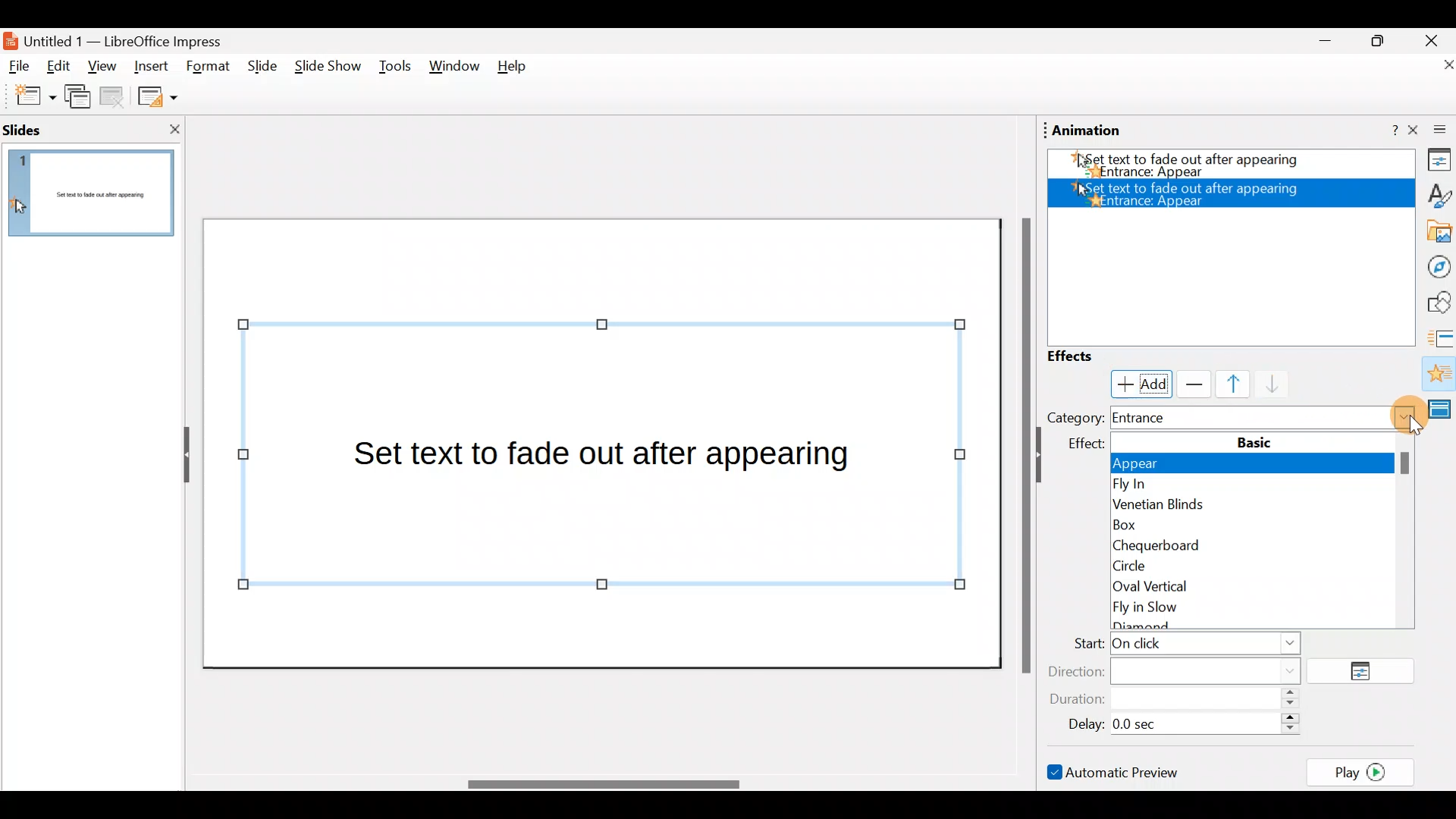 The width and height of the screenshot is (1456, 819). Describe the element at coordinates (1179, 722) in the screenshot. I see `Delay` at that location.